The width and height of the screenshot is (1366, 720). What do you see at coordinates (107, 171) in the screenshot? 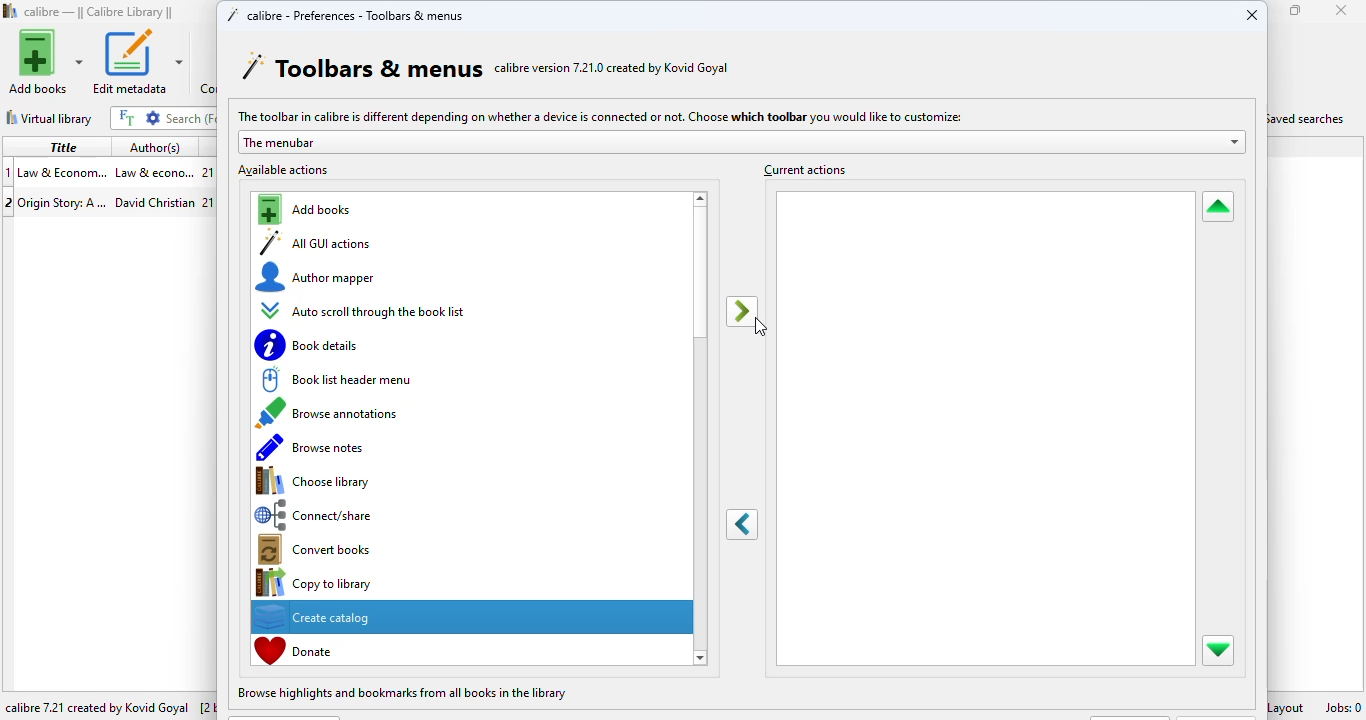
I see `book 1` at bounding box center [107, 171].